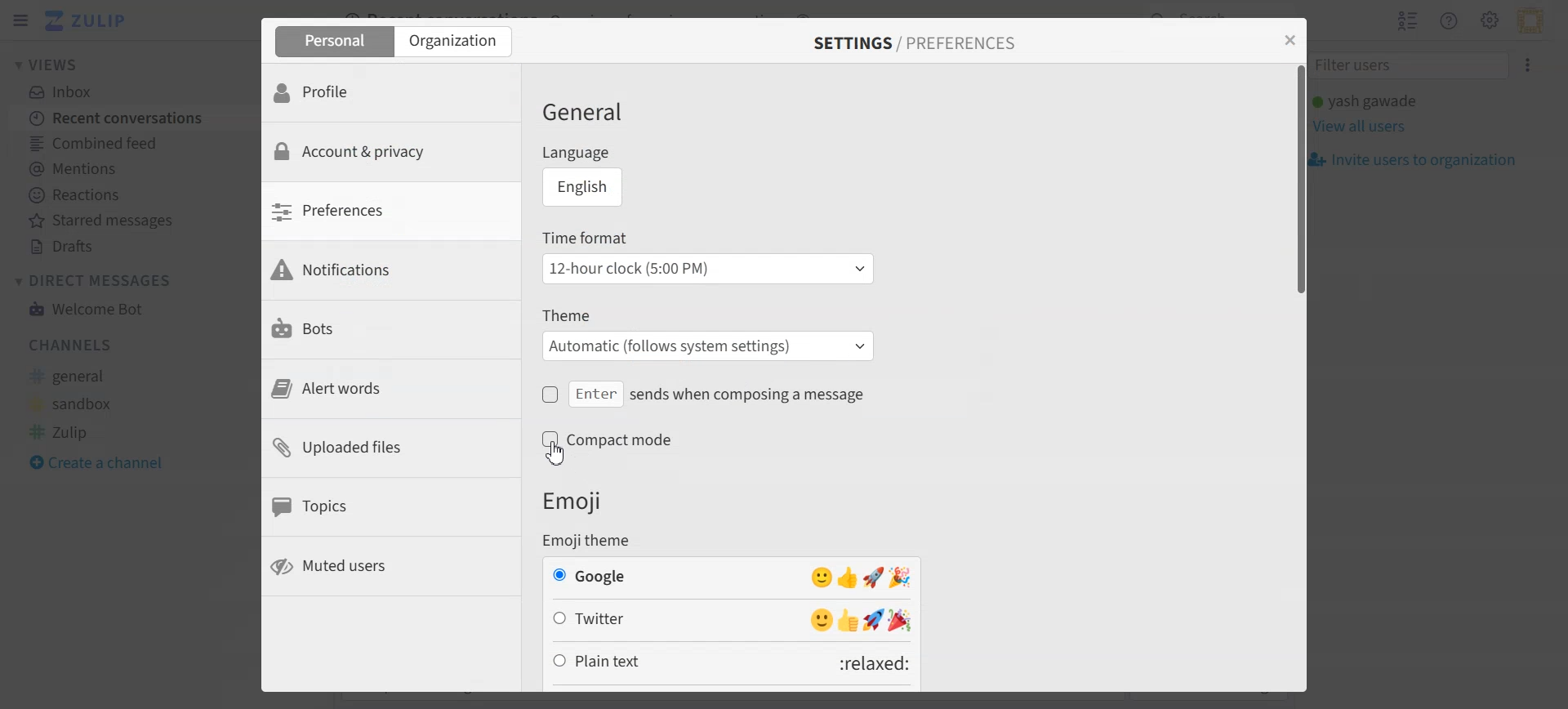 The height and width of the screenshot is (709, 1568). I want to click on English, so click(584, 187).